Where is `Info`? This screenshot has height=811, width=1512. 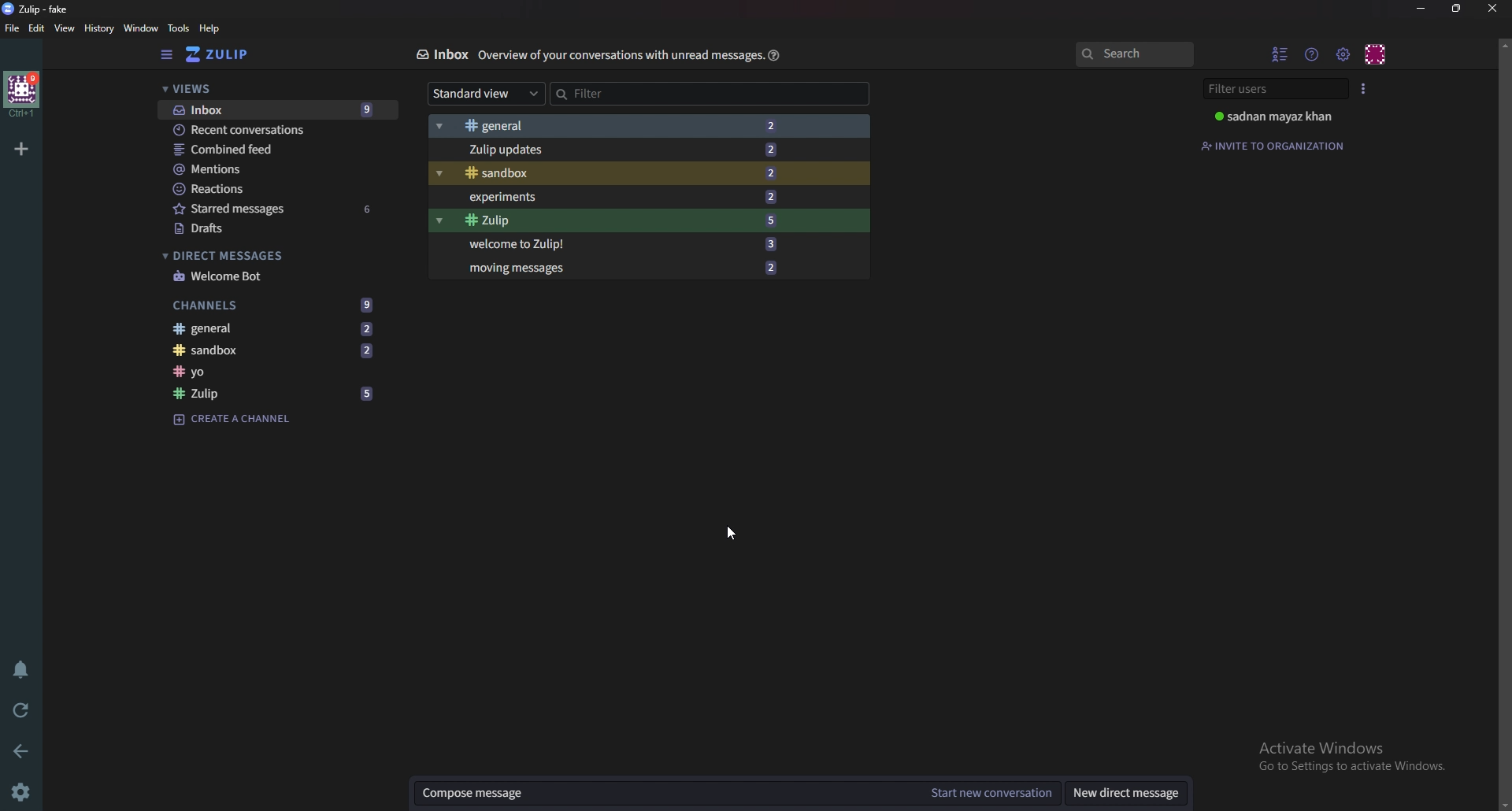
Info is located at coordinates (619, 56).